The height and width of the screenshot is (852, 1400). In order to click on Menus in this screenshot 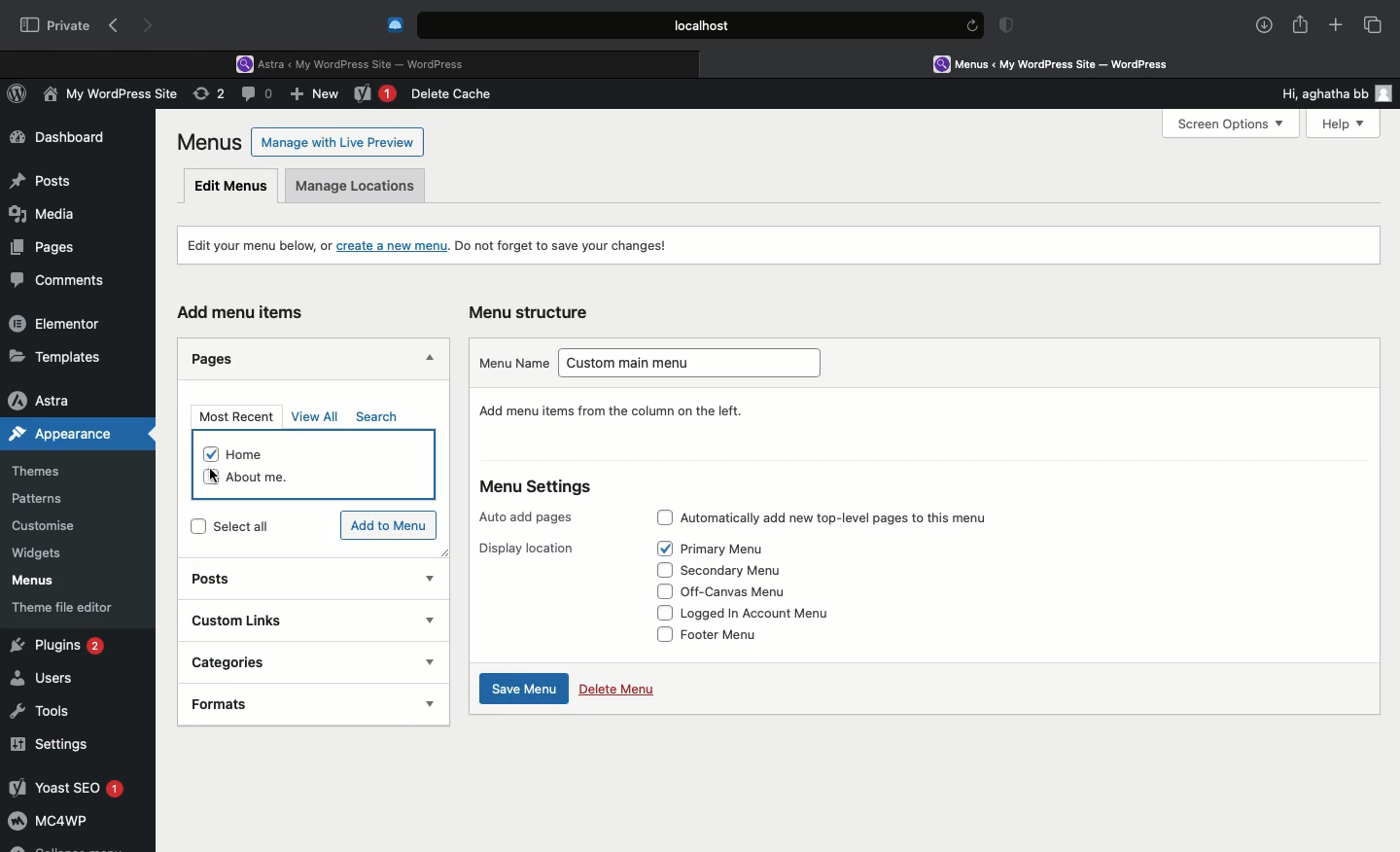, I will do `click(30, 581)`.